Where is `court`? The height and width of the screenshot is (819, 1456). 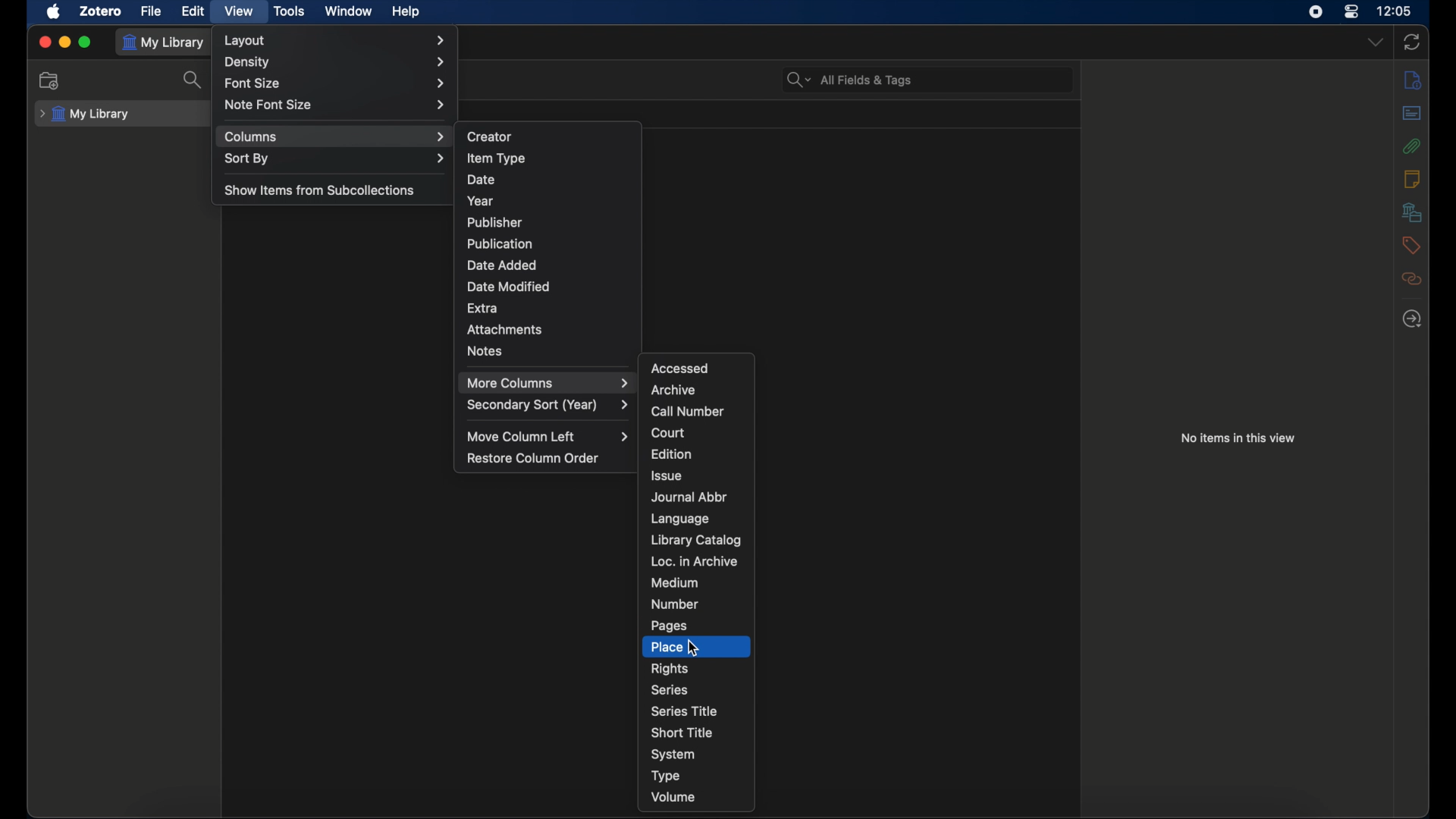 court is located at coordinates (667, 433).